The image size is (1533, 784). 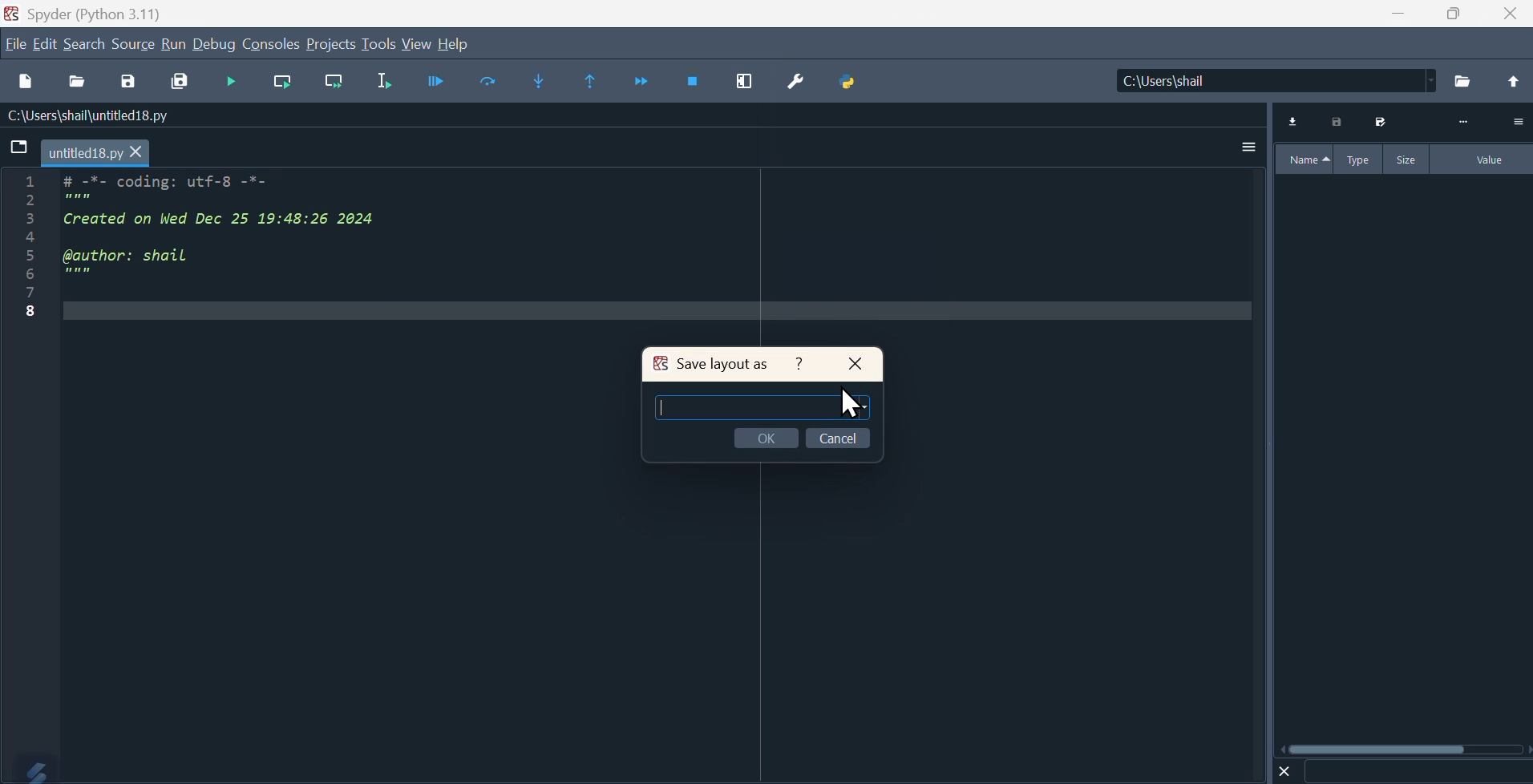 I want to click on Help, so click(x=455, y=44).